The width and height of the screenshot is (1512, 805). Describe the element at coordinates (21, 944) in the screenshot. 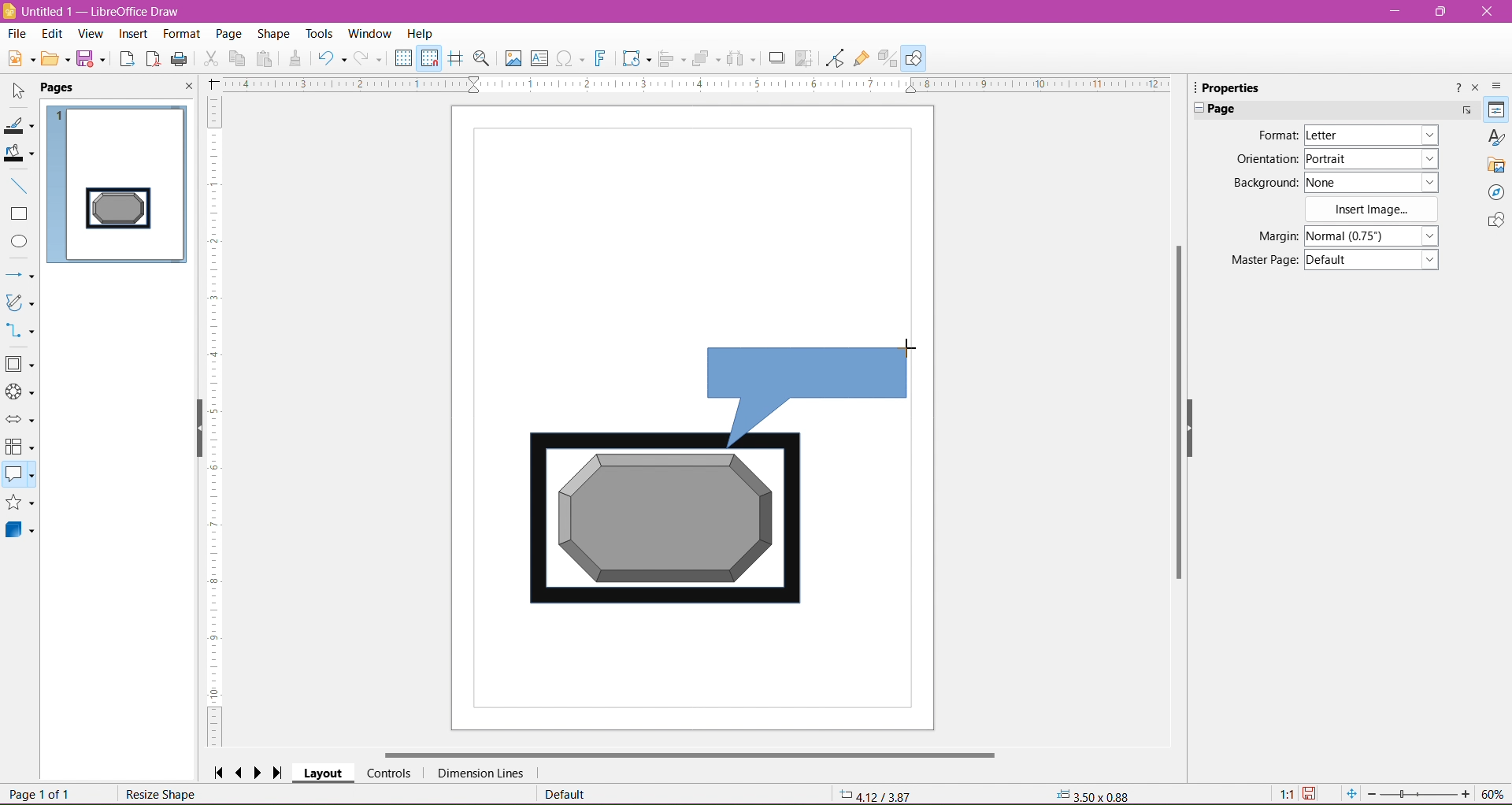

I see `Callout Shapes` at that location.